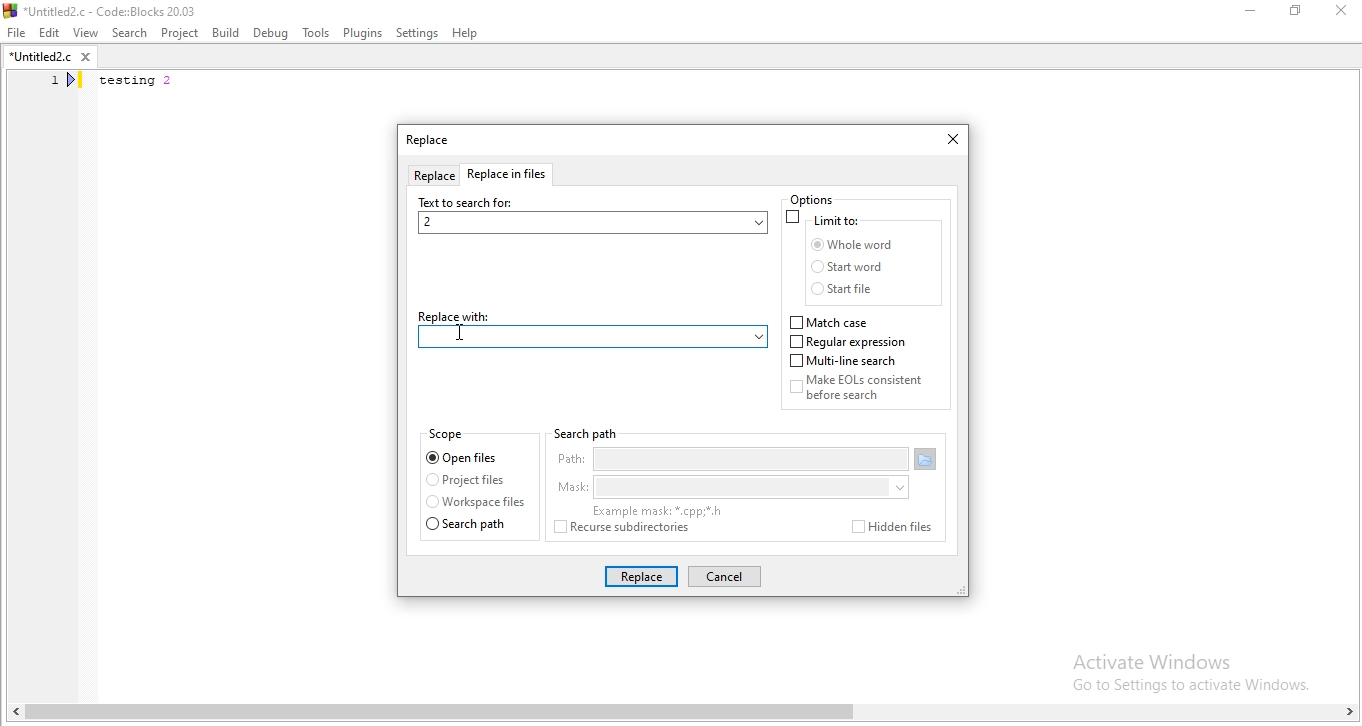 Image resolution: width=1362 pixels, height=726 pixels. What do you see at coordinates (181, 32) in the screenshot?
I see `Project ` at bounding box center [181, 32].